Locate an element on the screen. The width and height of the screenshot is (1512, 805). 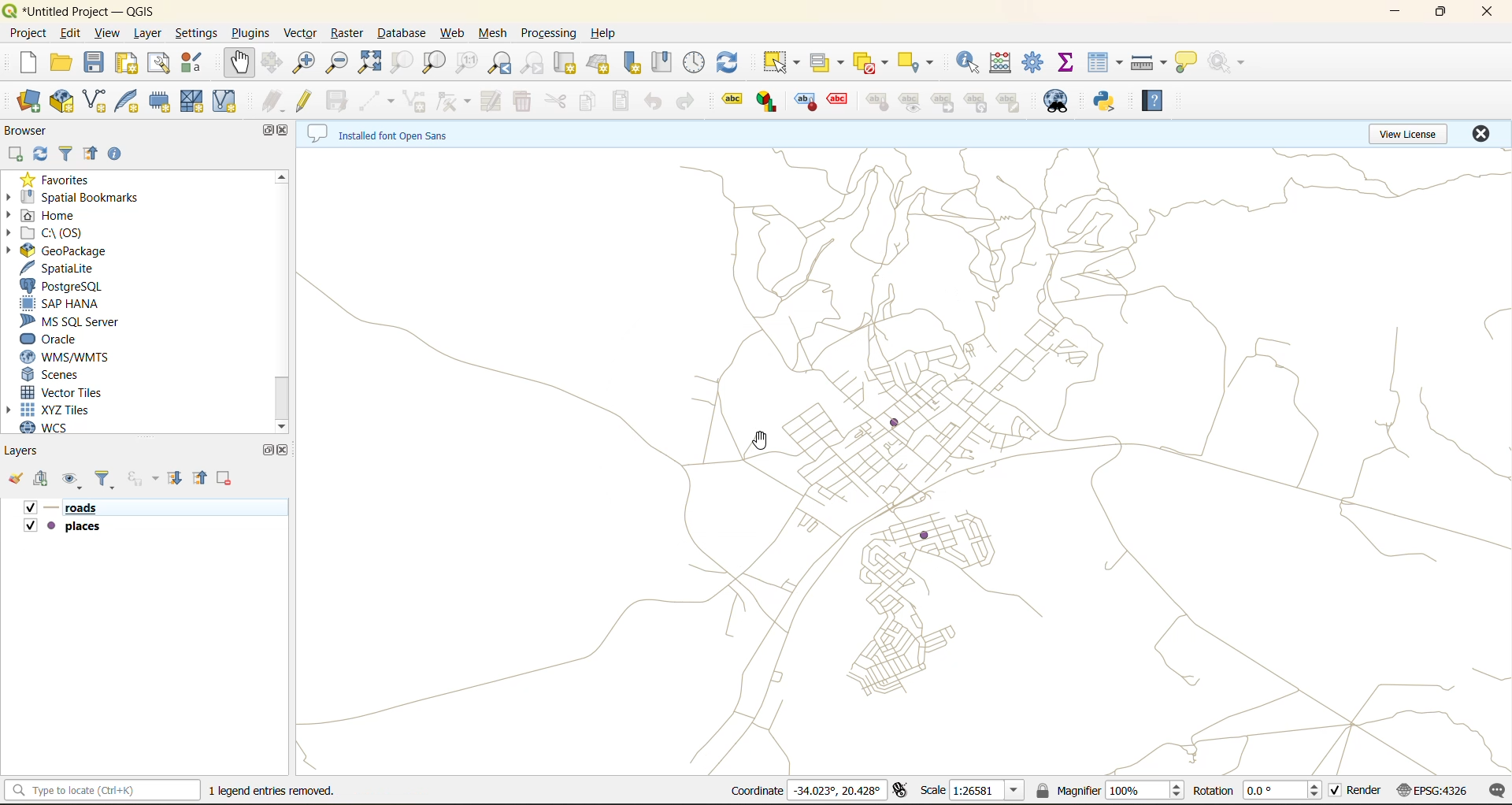
digitize is located at coordinates (378, 99).